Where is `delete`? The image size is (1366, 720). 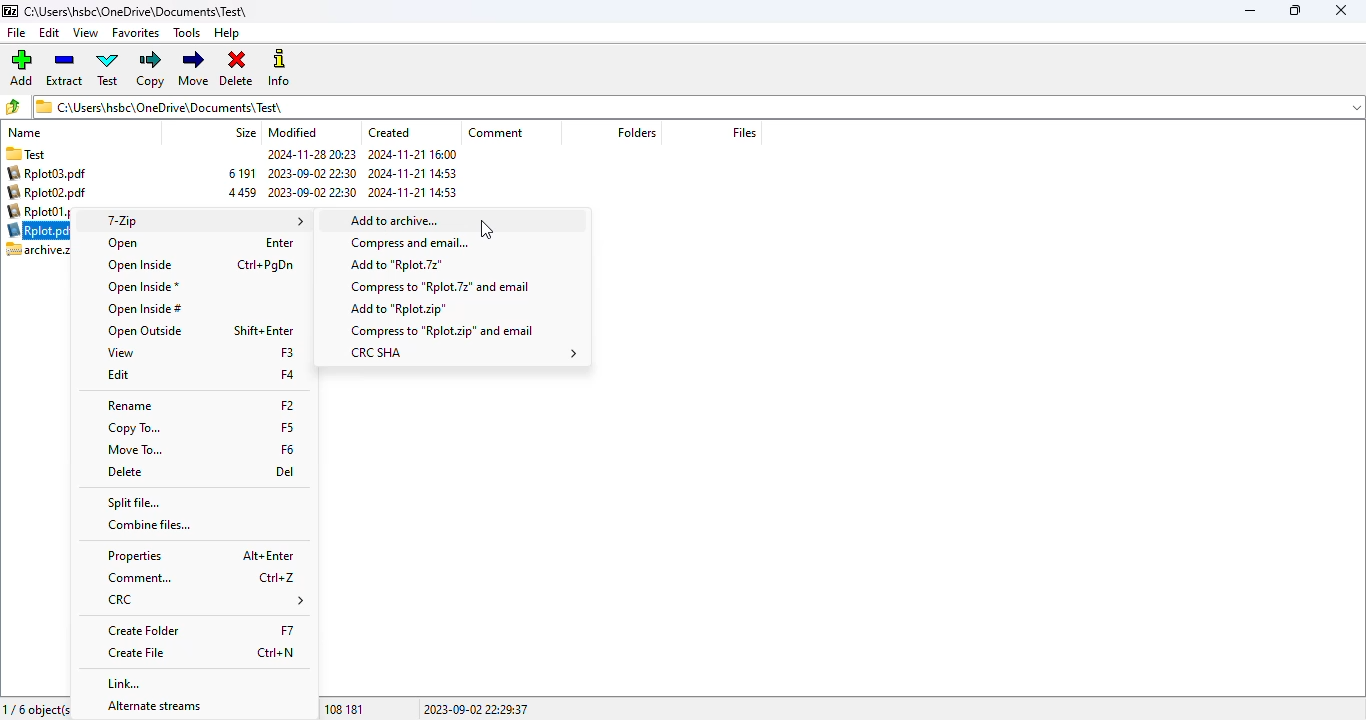 delete is located at coordinates (236, 69).